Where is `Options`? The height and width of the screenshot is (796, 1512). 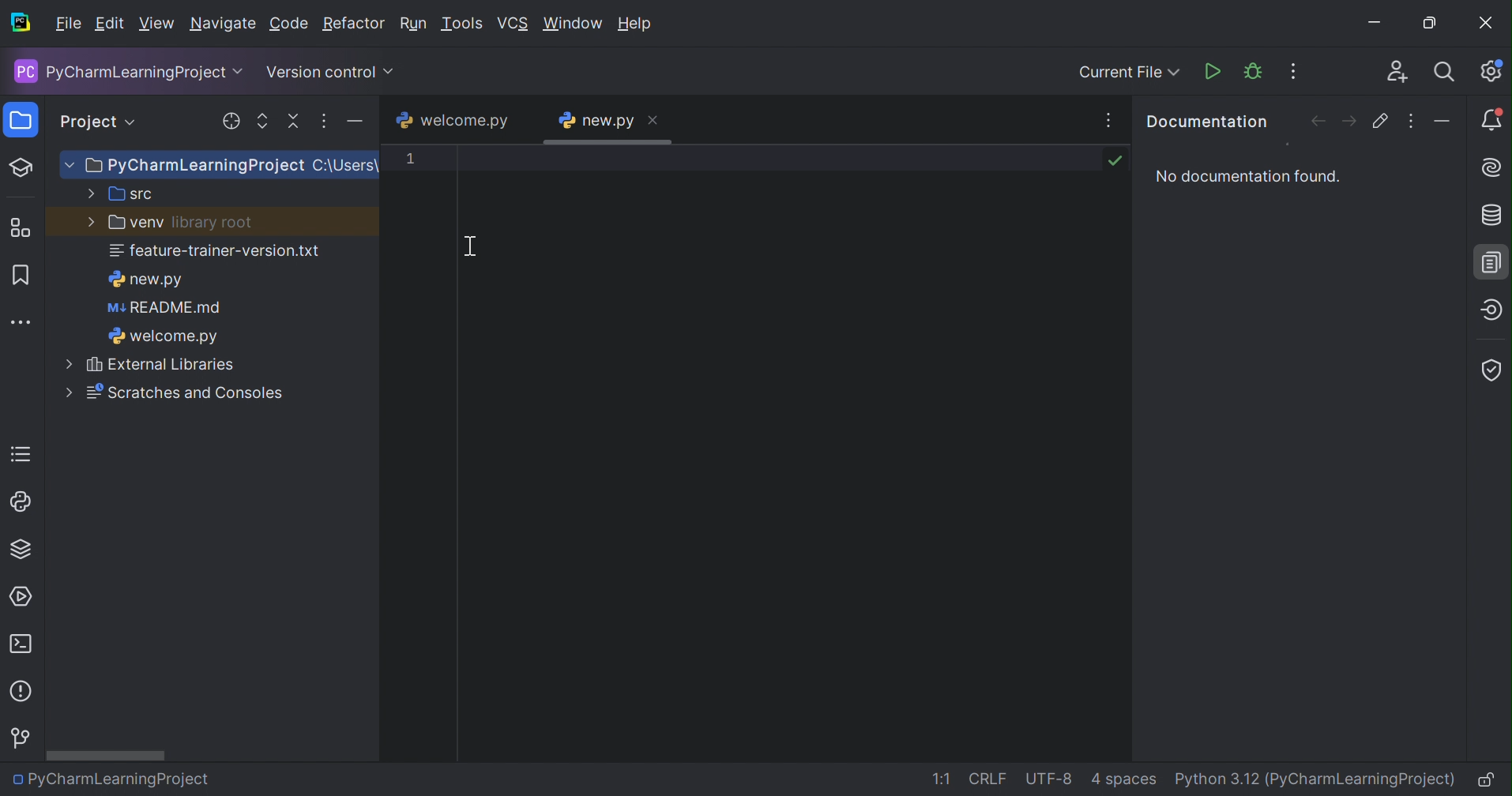
Options is located at coordinates (1413, 121).